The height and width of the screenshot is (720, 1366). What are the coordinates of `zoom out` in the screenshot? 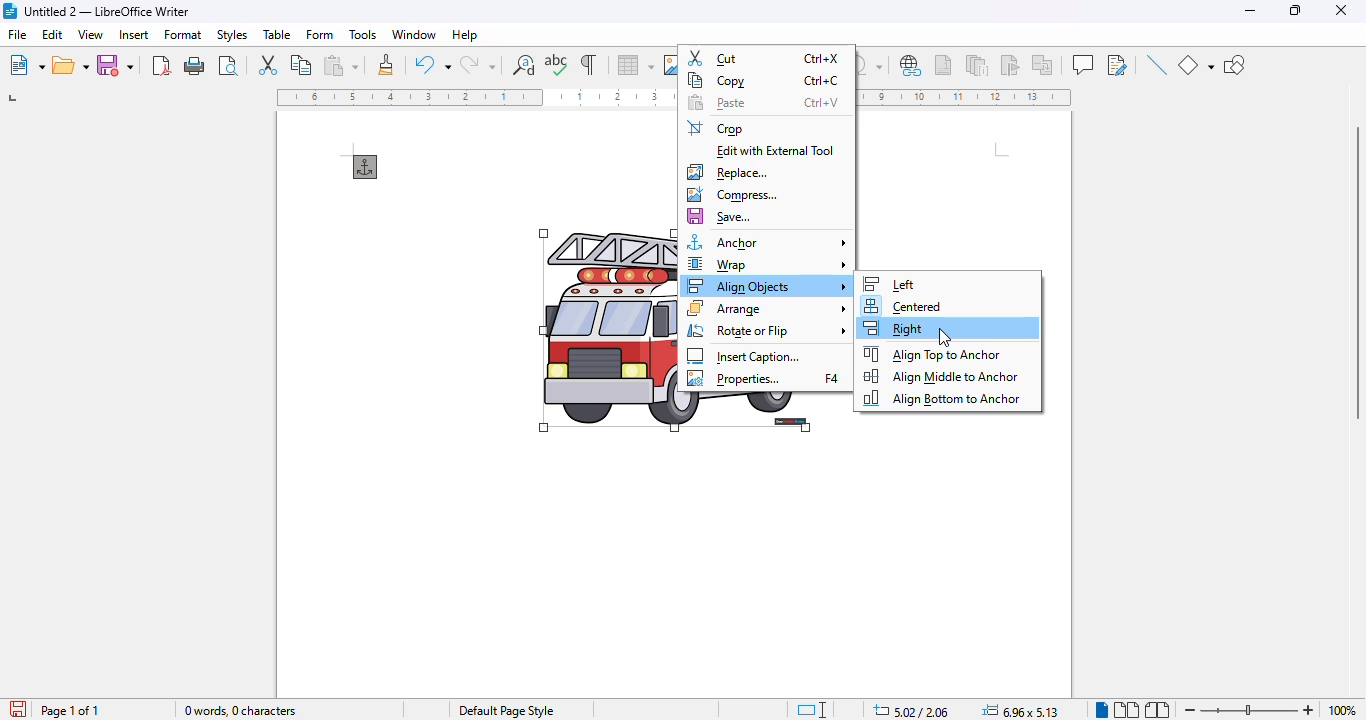 It's located at (1191, 711).